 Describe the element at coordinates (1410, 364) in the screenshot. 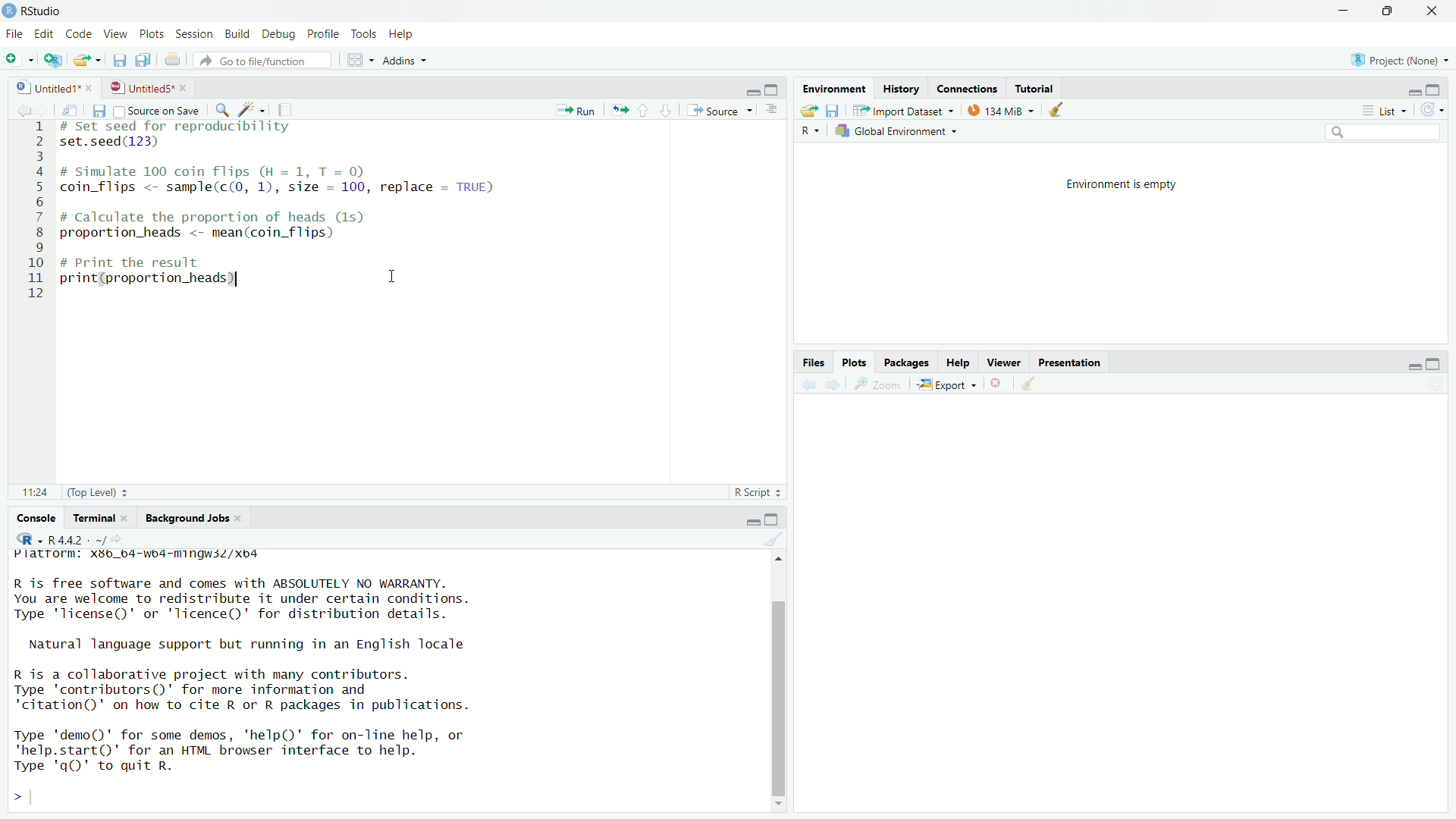

I see `minimize` at that location.